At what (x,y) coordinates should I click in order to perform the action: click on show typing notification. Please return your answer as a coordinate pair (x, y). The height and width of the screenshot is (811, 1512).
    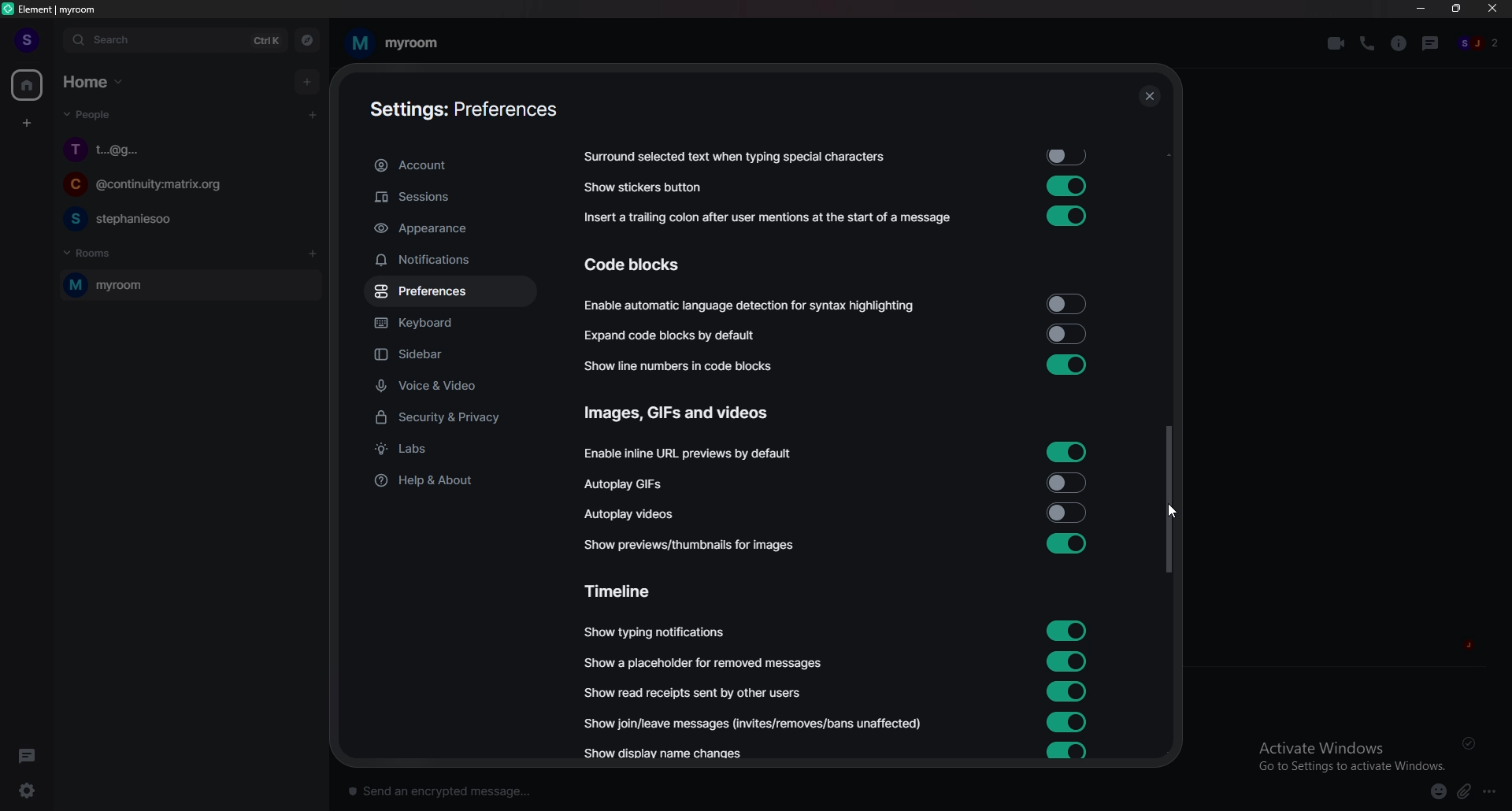
    Looking at the image, I should click on (656, 632).